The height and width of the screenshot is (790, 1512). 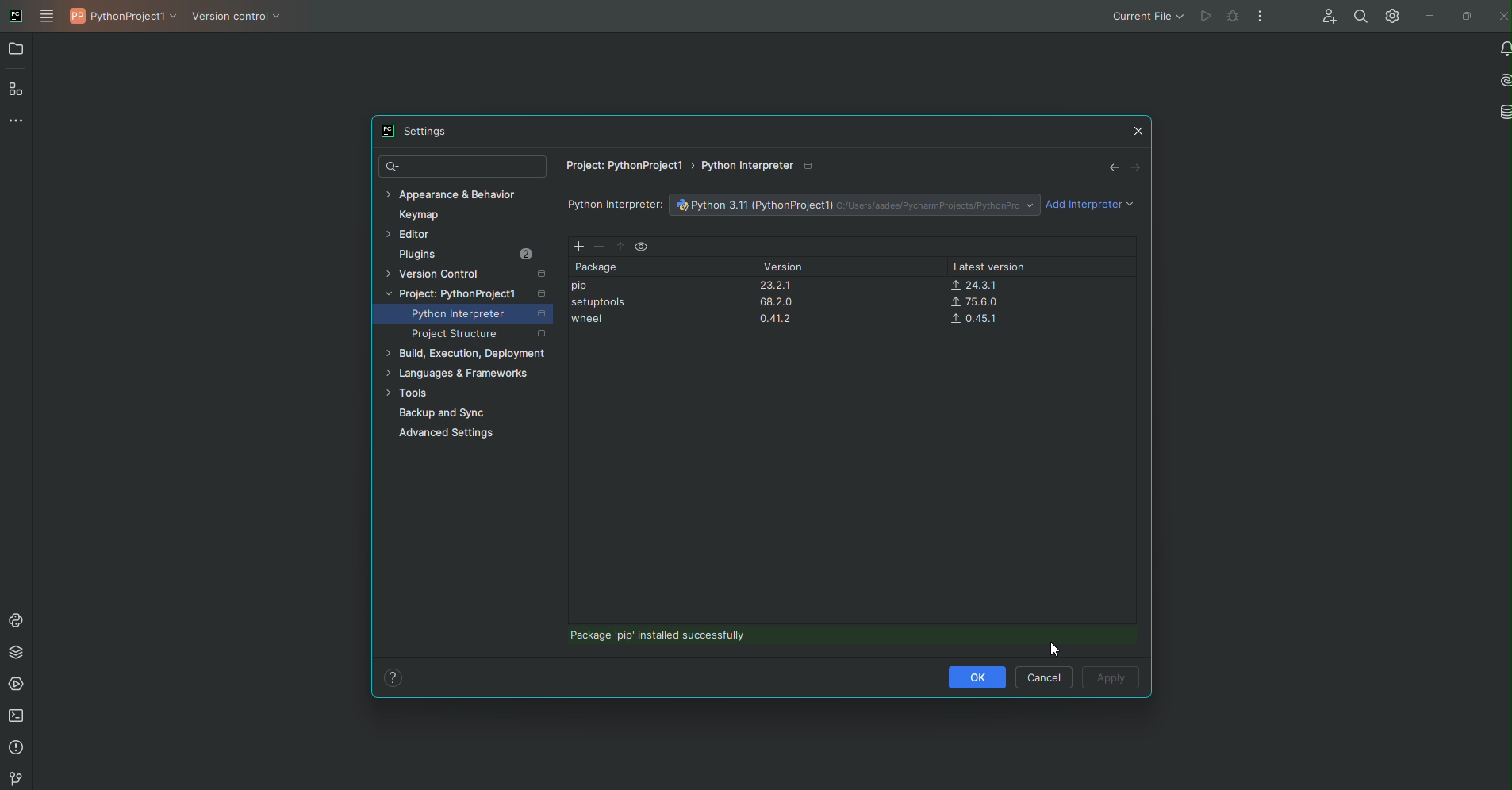 What do you see at coordinates (409, 393) in the screenshot?
I see `Tools` at bounding box center [409, 393].